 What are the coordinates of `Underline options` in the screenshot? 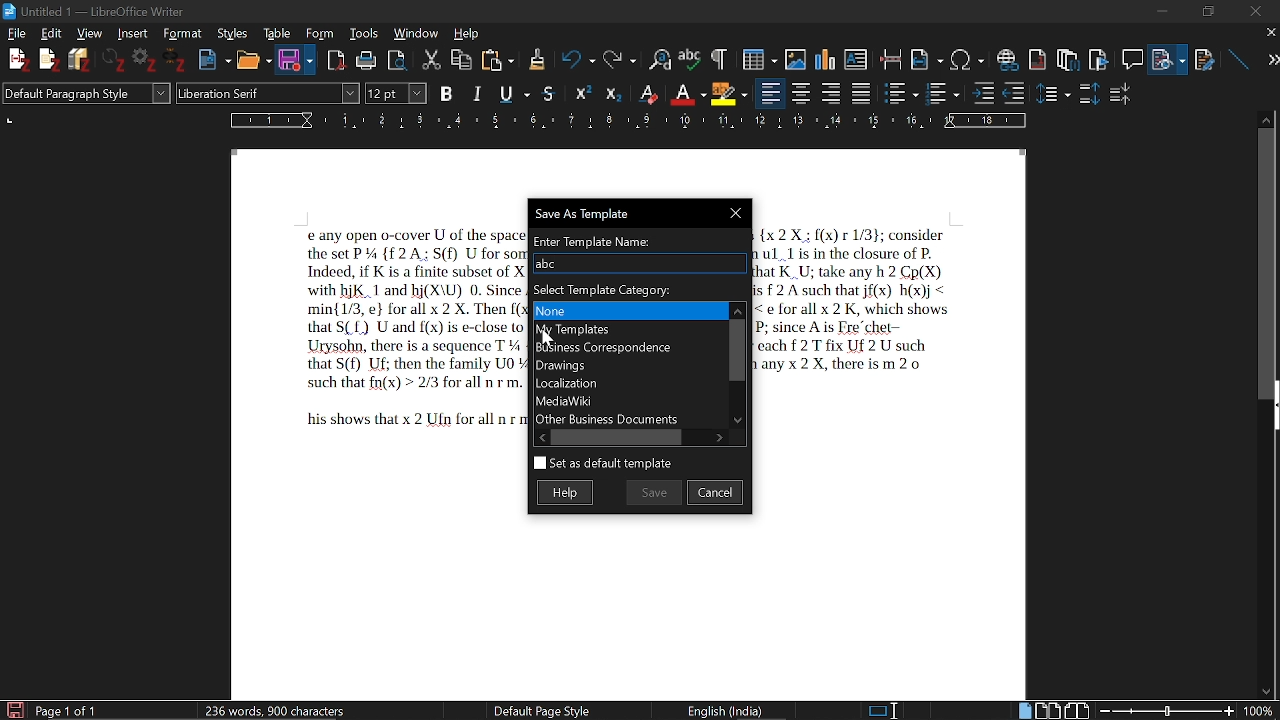 It's located at (512, 91).